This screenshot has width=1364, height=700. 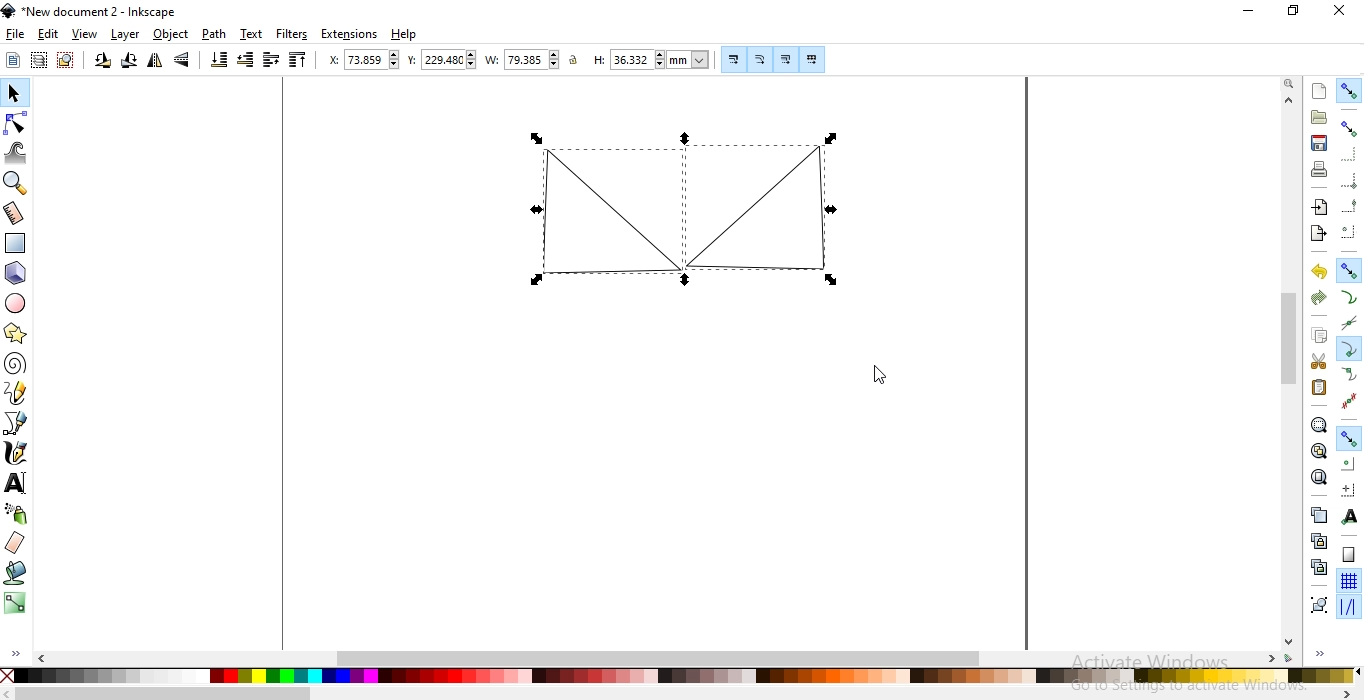 What do you see at coordinates (15, 396) in the screenshot?
I see `draw freehand lines` at bounding box center [15, 396].